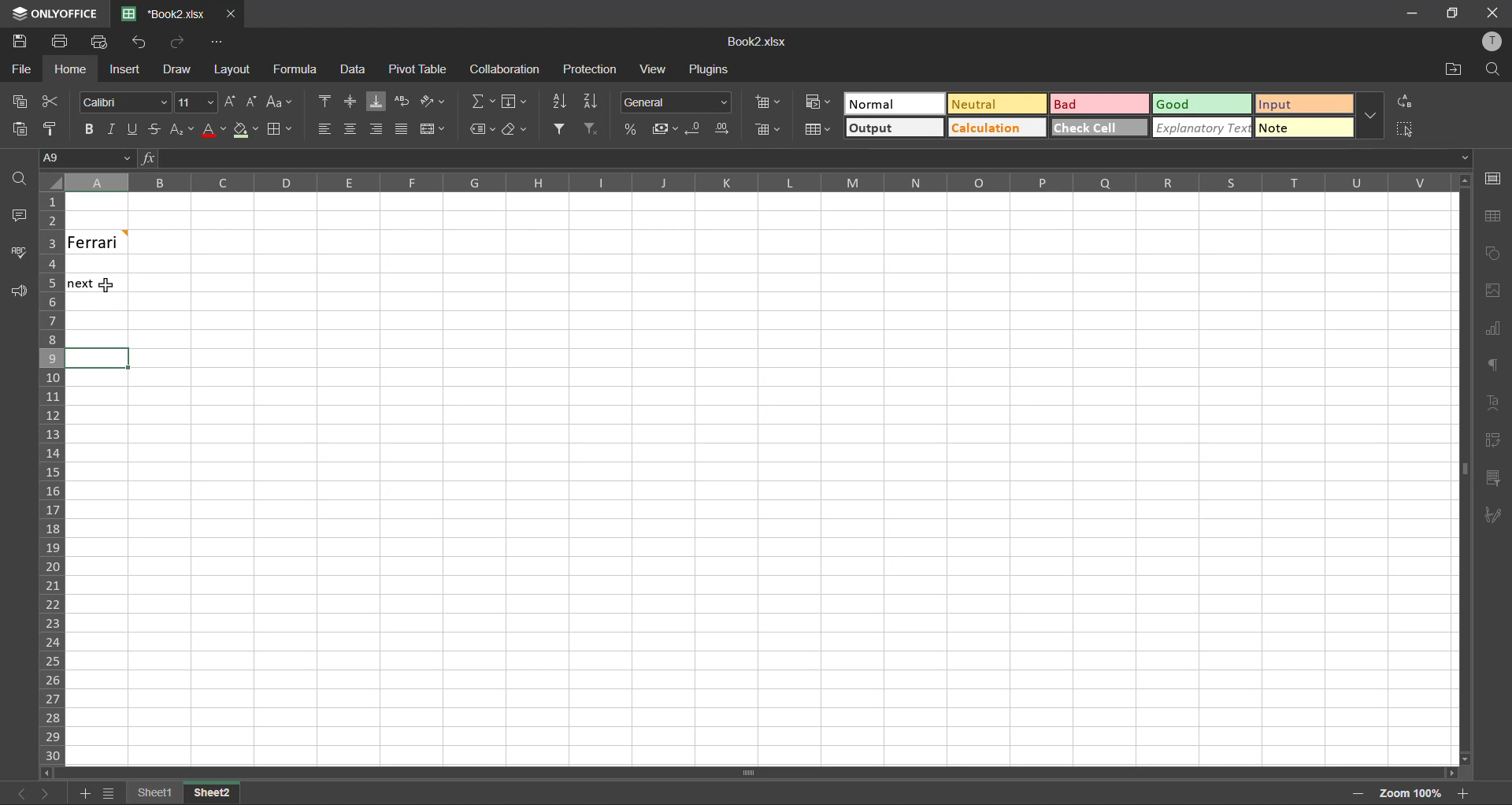  Describe the element at coordinates (994, 128) in the screenshot. I see `calculation` at that location.